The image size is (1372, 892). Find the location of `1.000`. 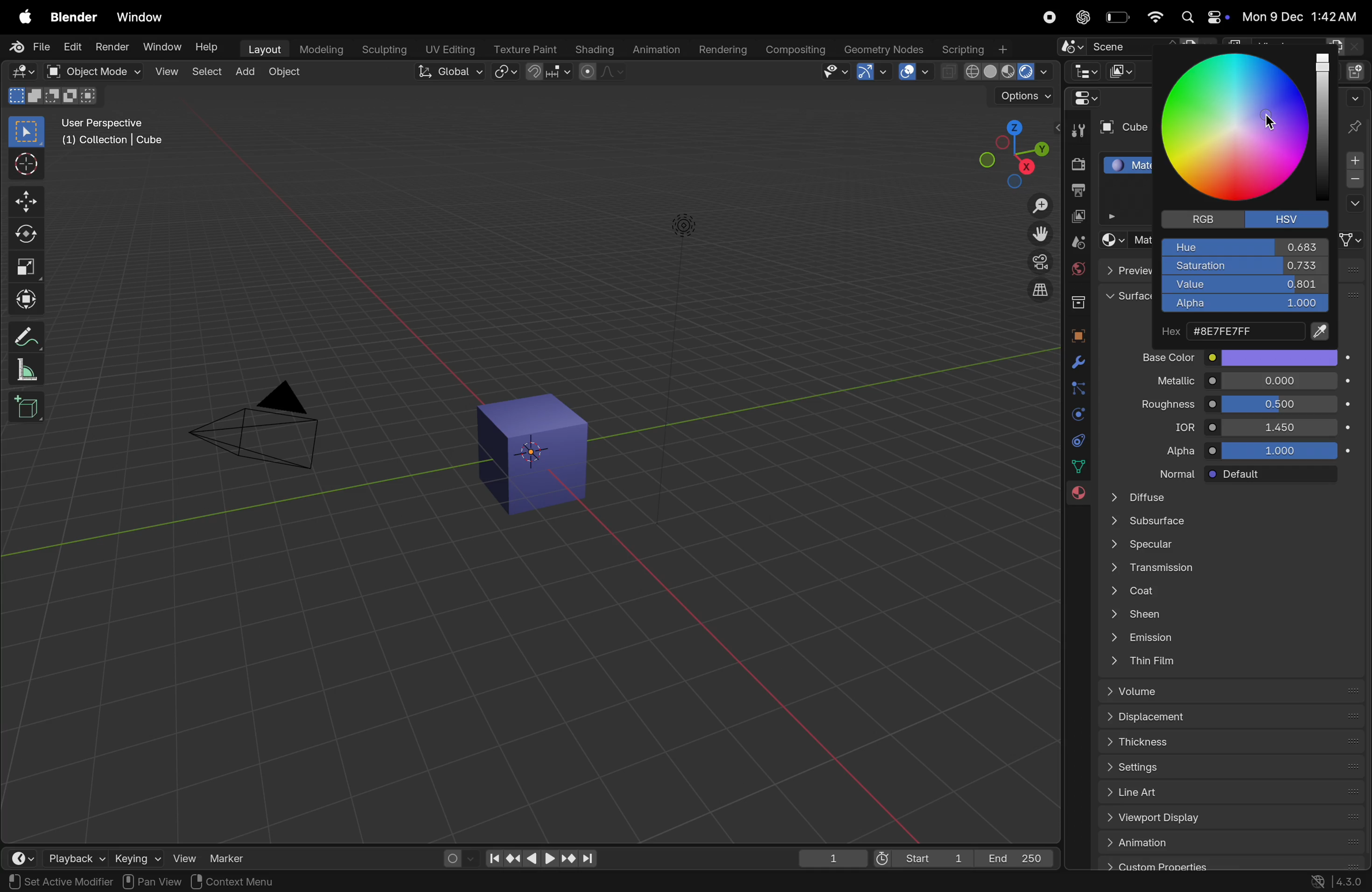

1.000 is located at coordinates (1284, 451).